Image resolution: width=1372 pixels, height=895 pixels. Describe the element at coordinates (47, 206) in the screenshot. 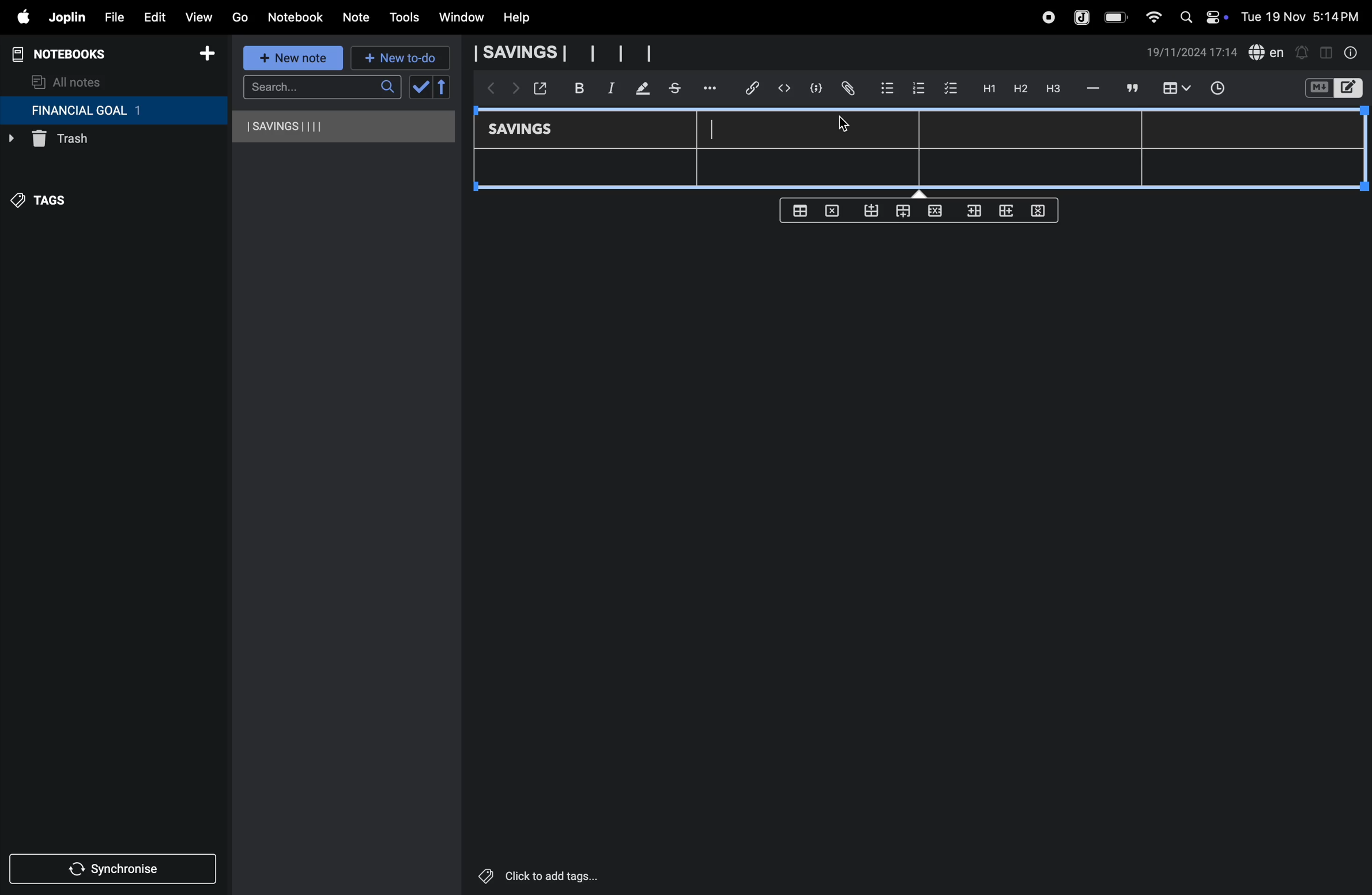

I see `tags` at that location.